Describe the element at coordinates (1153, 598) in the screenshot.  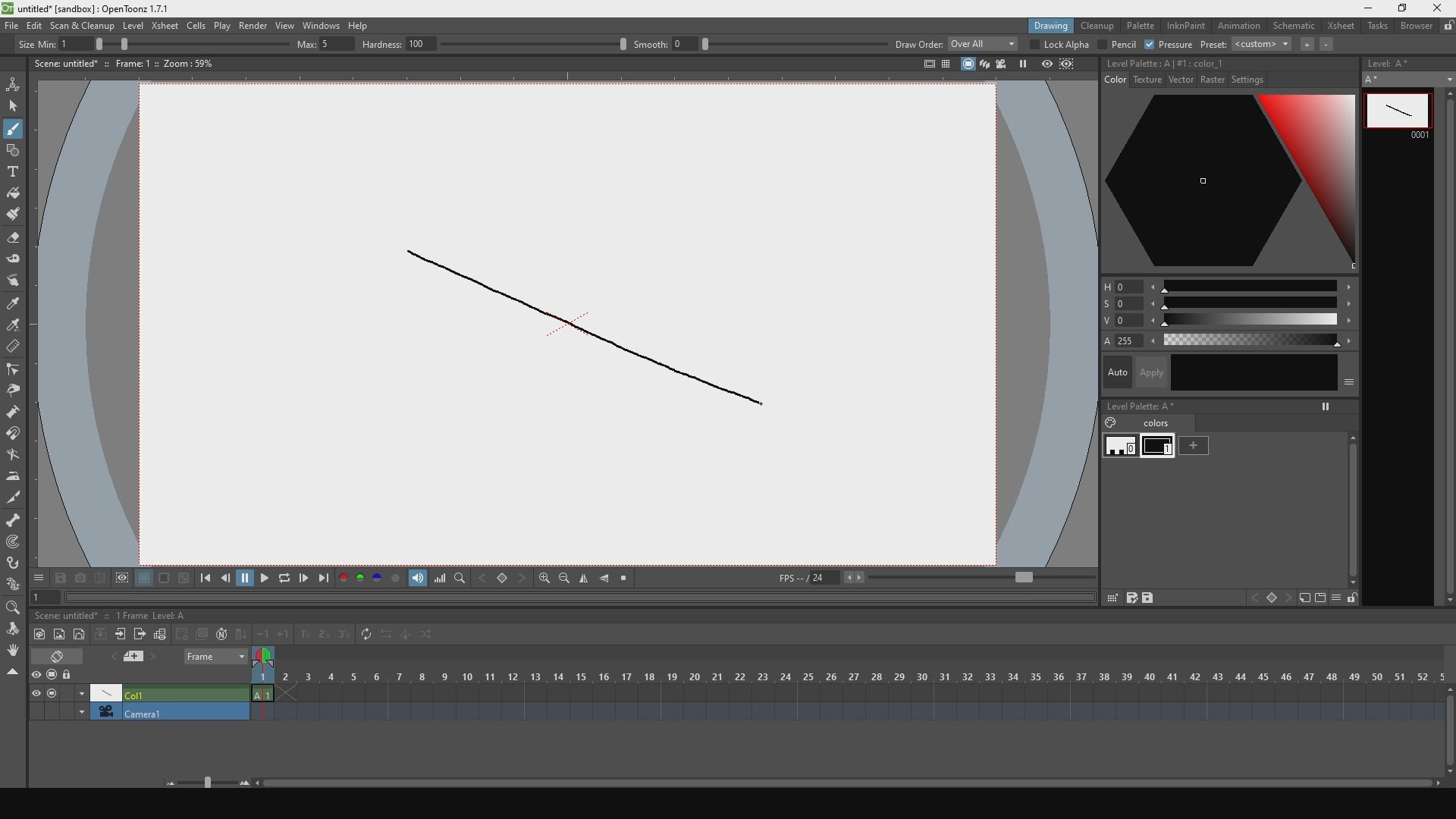
I see `save` at that location.